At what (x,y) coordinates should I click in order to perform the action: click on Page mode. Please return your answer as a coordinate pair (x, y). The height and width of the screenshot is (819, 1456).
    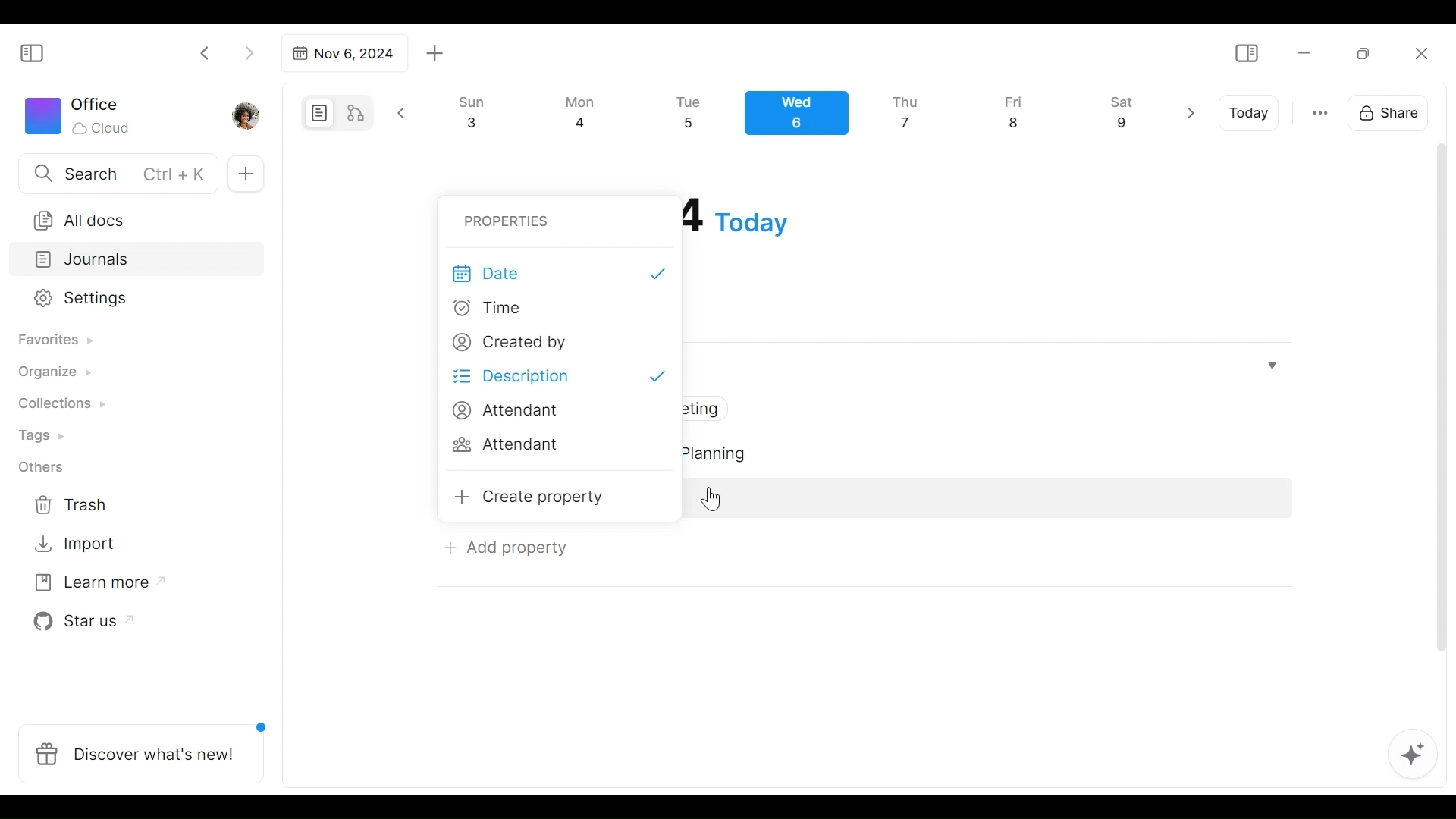
    Looking at the image, I should click on (317, 113).